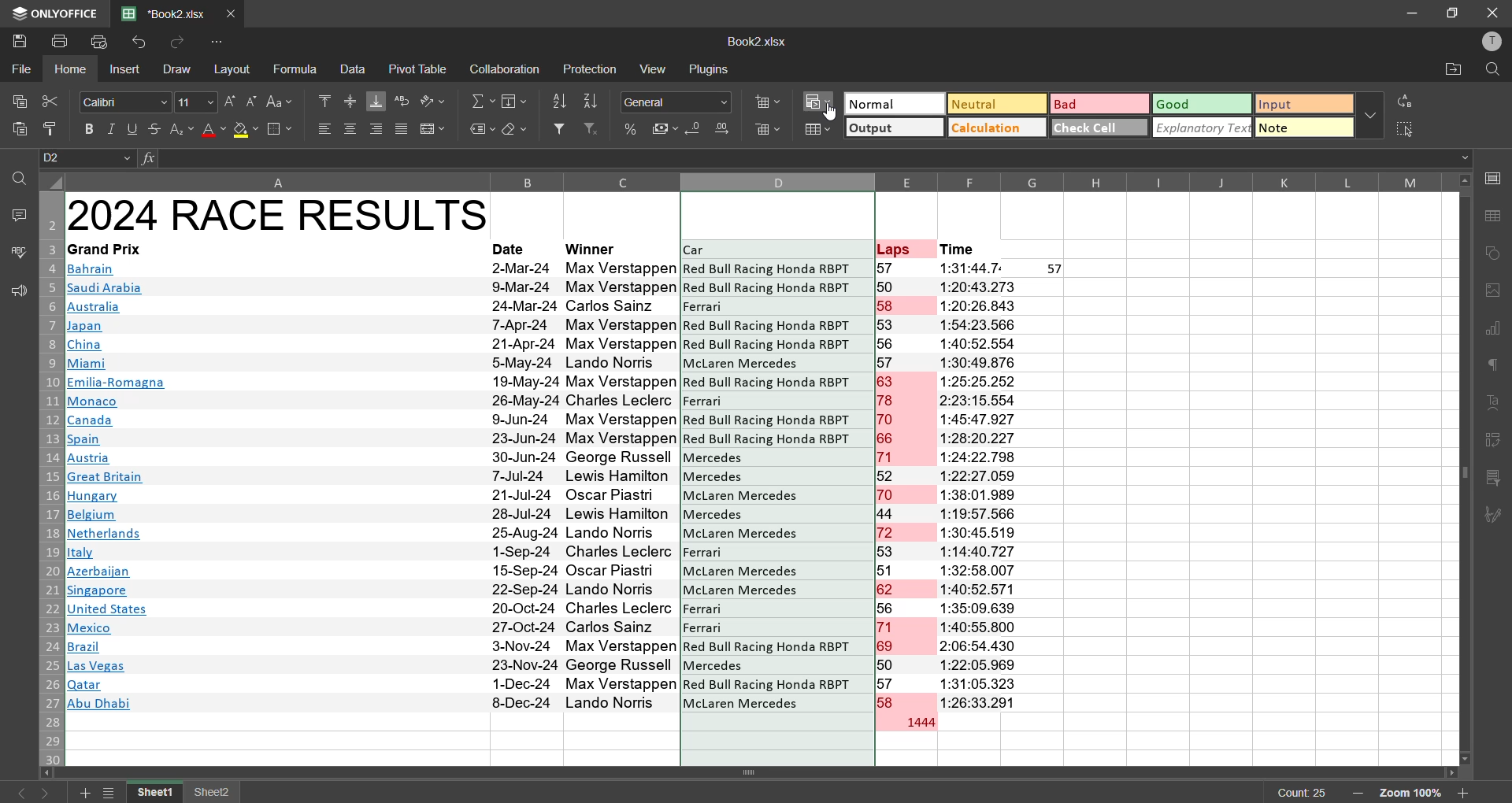  Describe the element at coordinates (180, 128) in the screenshot. I see `sub/superscript` at that location.